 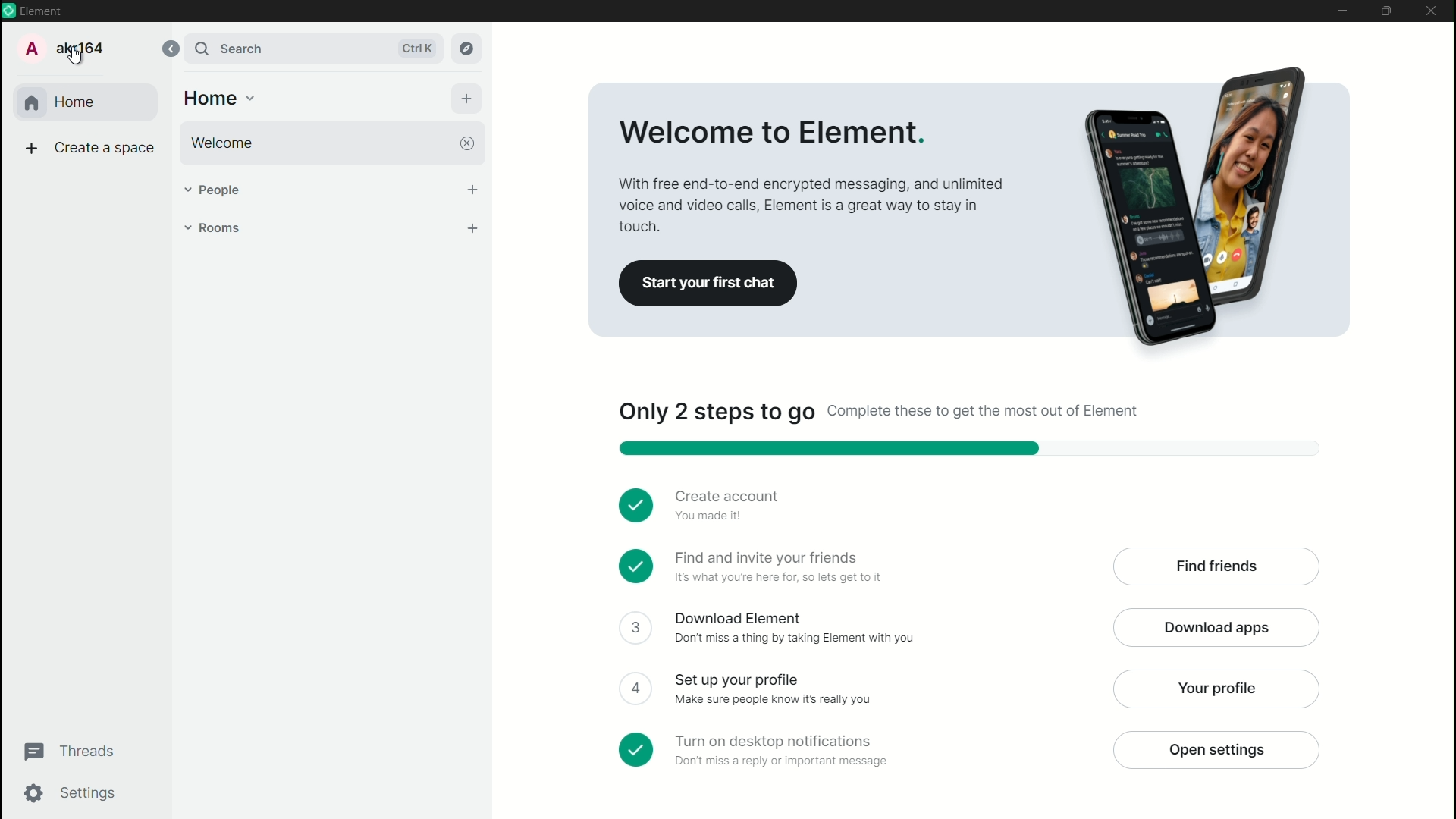 What do you see at coordinates (472, 229) in the screenshot?
I see `add room` at bounding box center [472, 229].